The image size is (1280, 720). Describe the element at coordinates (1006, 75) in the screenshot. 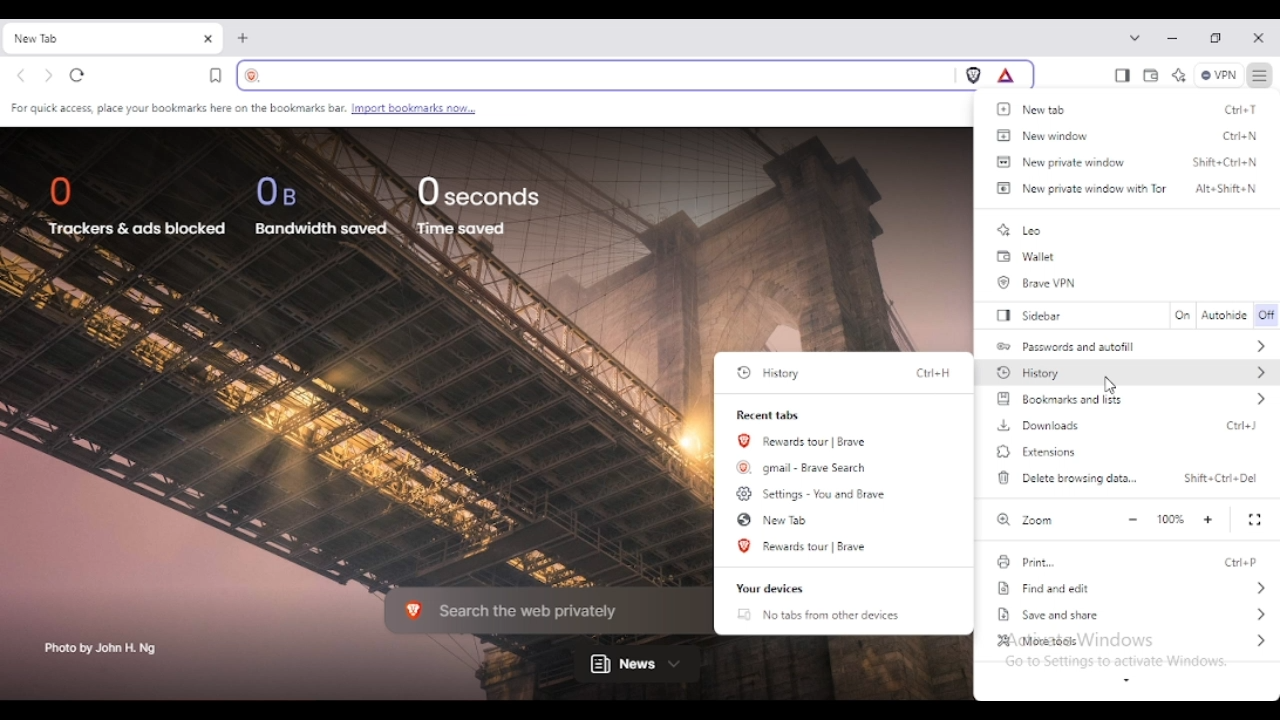

I see `brave rewards panel` at that location.